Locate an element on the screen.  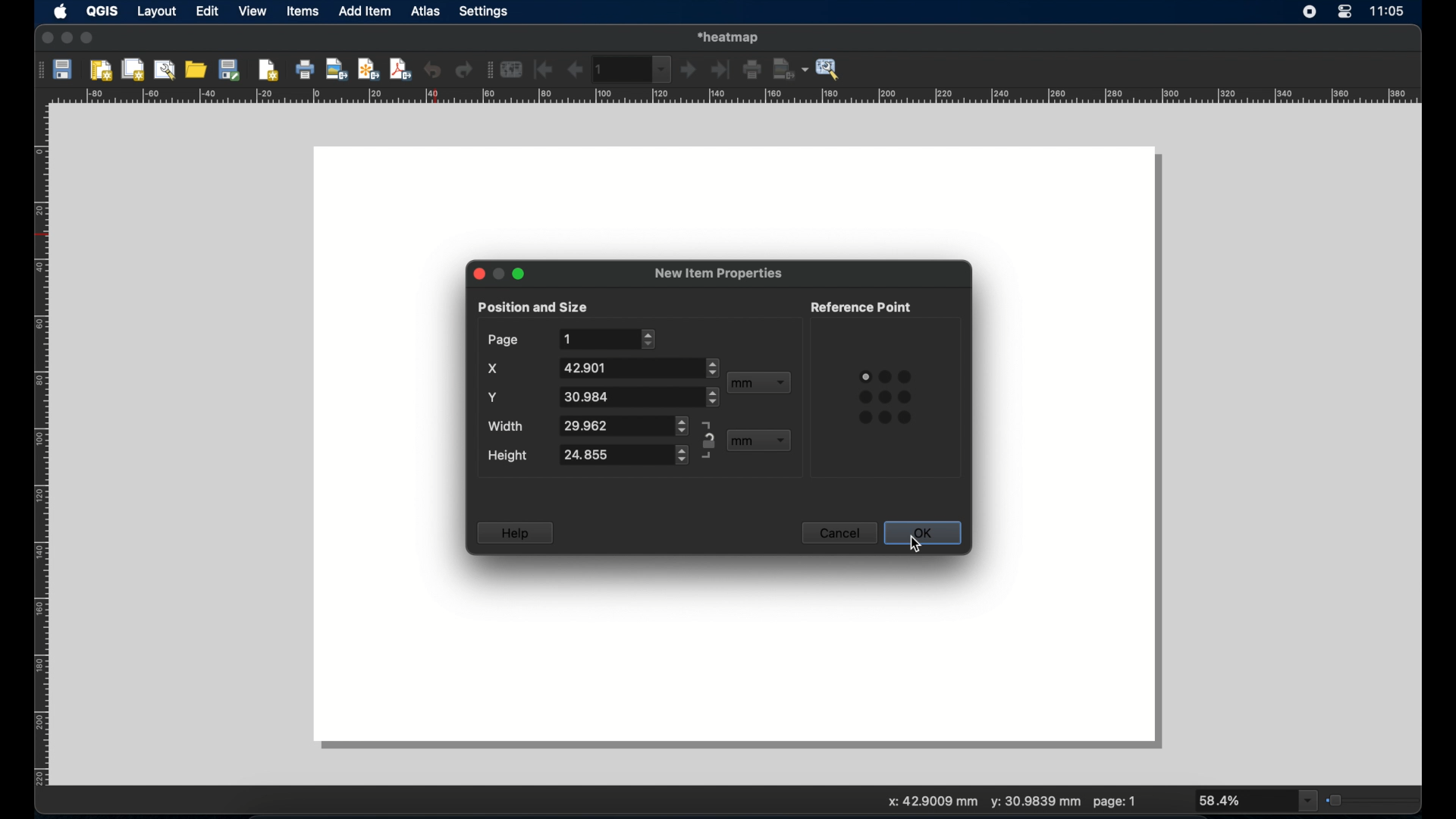
redo  is located at coordinates (464, 71).